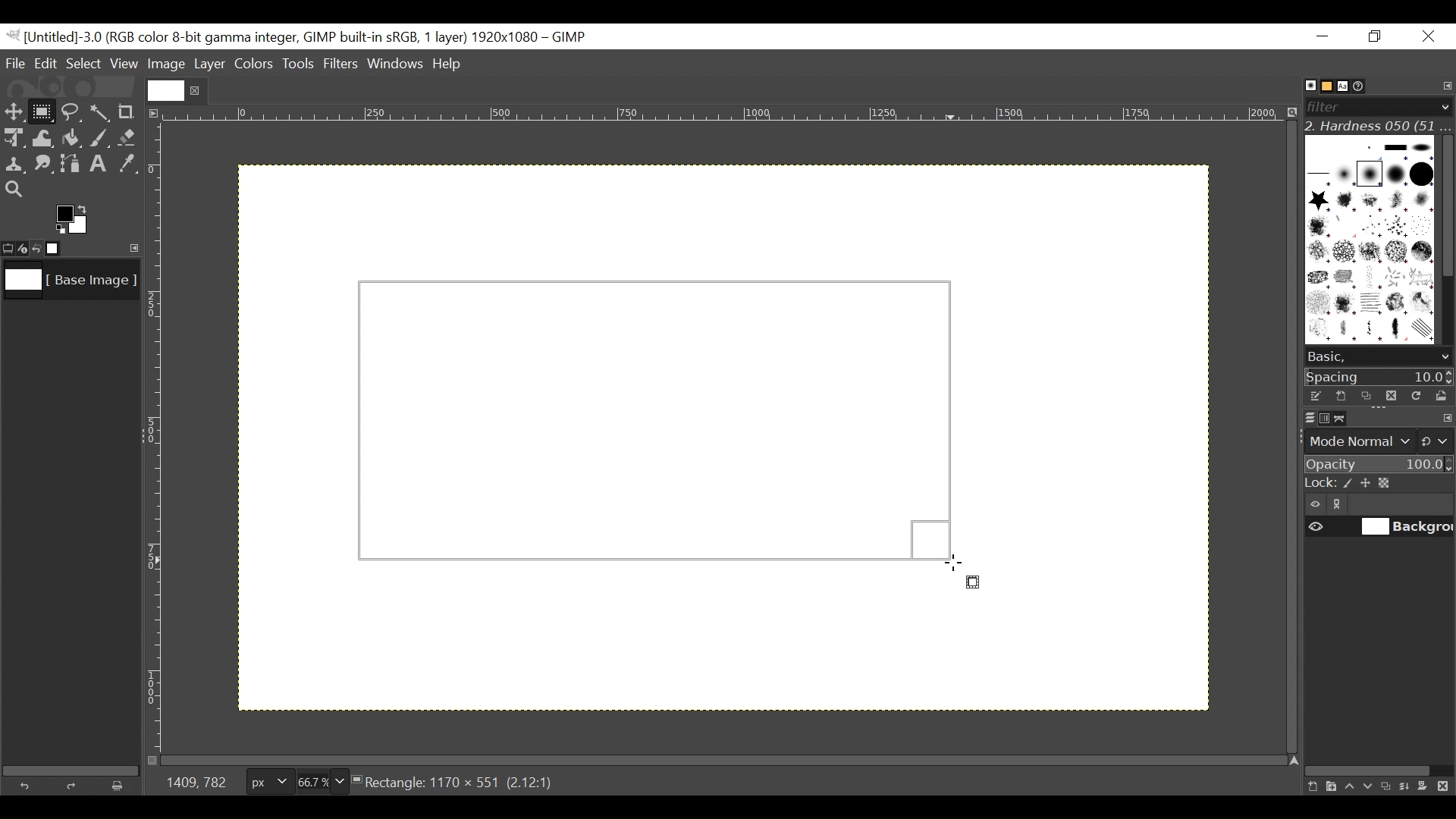  What do you see at coordinates (1427, 789) in the screenshot?
I see `Add a mask` at bounding box center [1427, 789].